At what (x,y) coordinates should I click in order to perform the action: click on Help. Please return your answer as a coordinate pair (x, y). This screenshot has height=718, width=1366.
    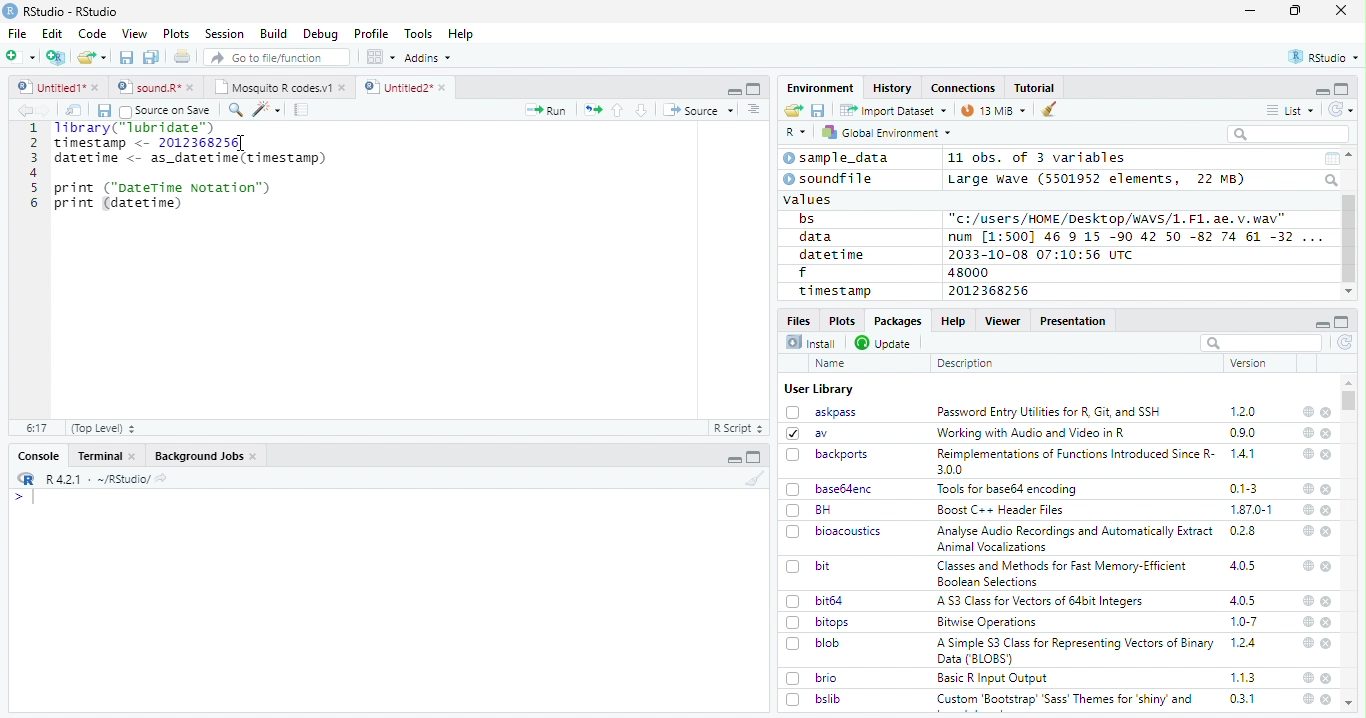
    Looking at the image, I should click on (461, 35).